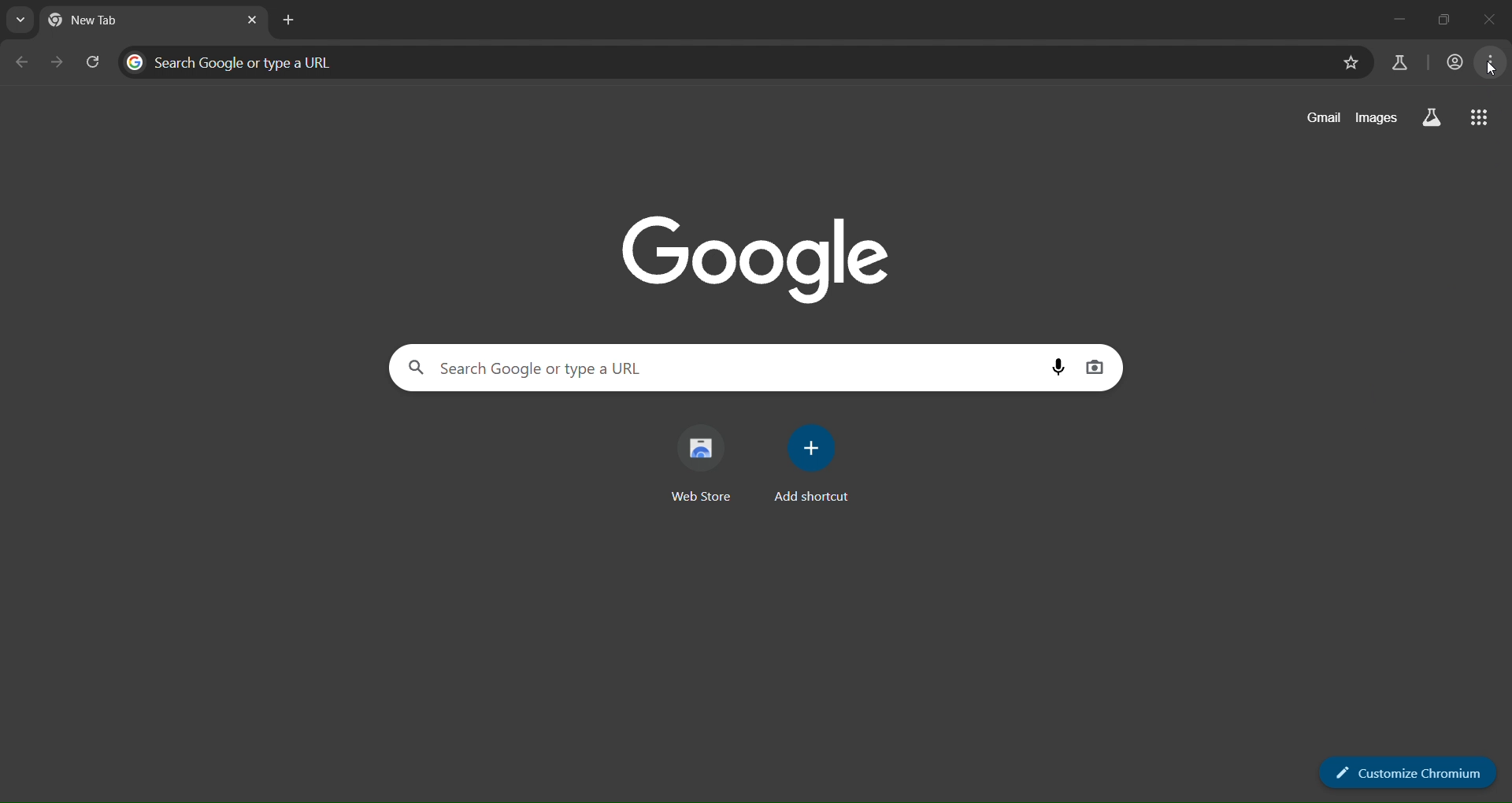 The width and height of the screenshot is (1512, 803). What do you see at coordinates (253, 21) in the screenshot?
I see `close tab` at bounding box center [253, 21].